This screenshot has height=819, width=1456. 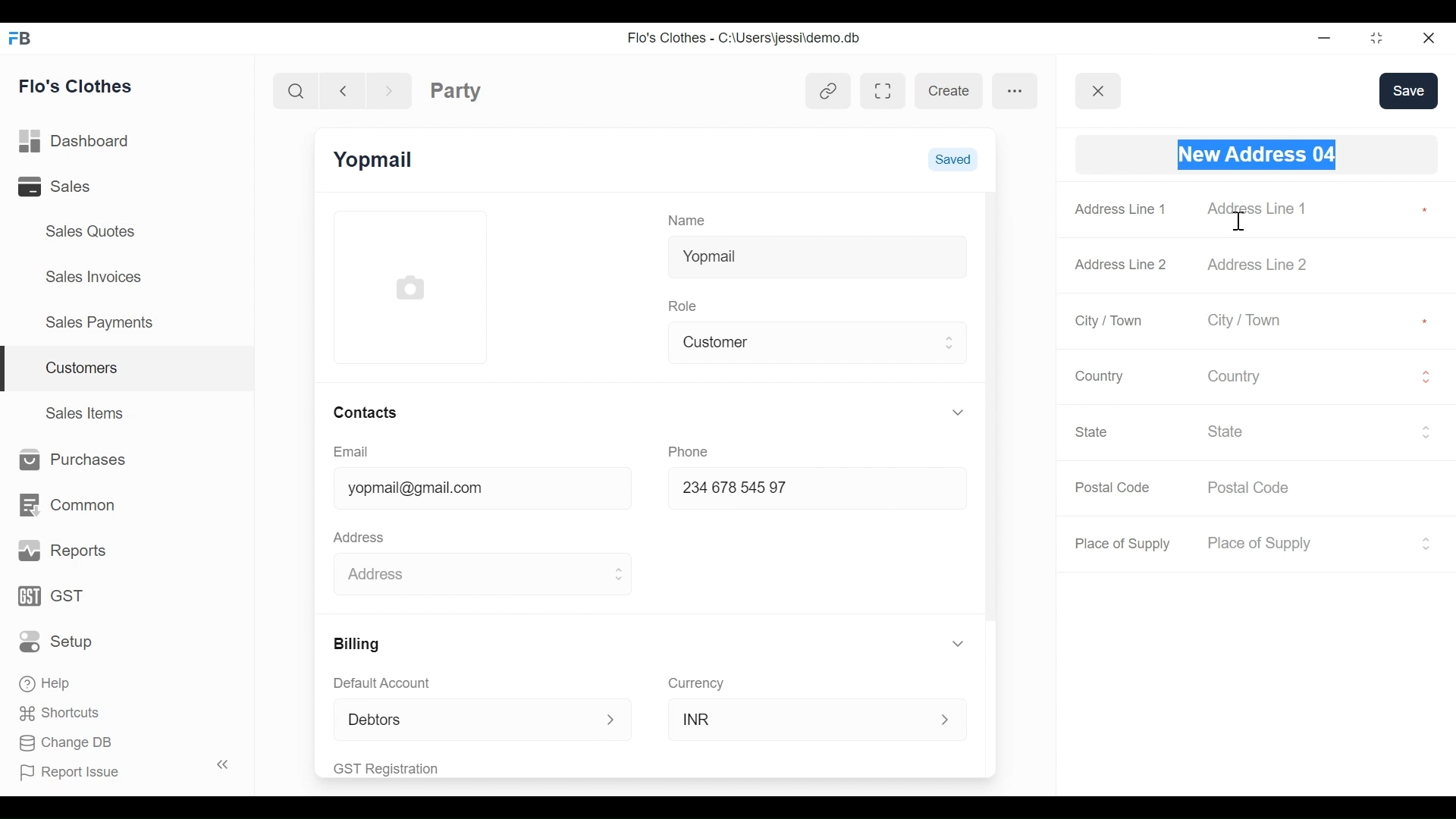 What do you see at coordinates (1258, 488) in the screenshot?
I see `Postal Code` at bounding box center [1258, 488].